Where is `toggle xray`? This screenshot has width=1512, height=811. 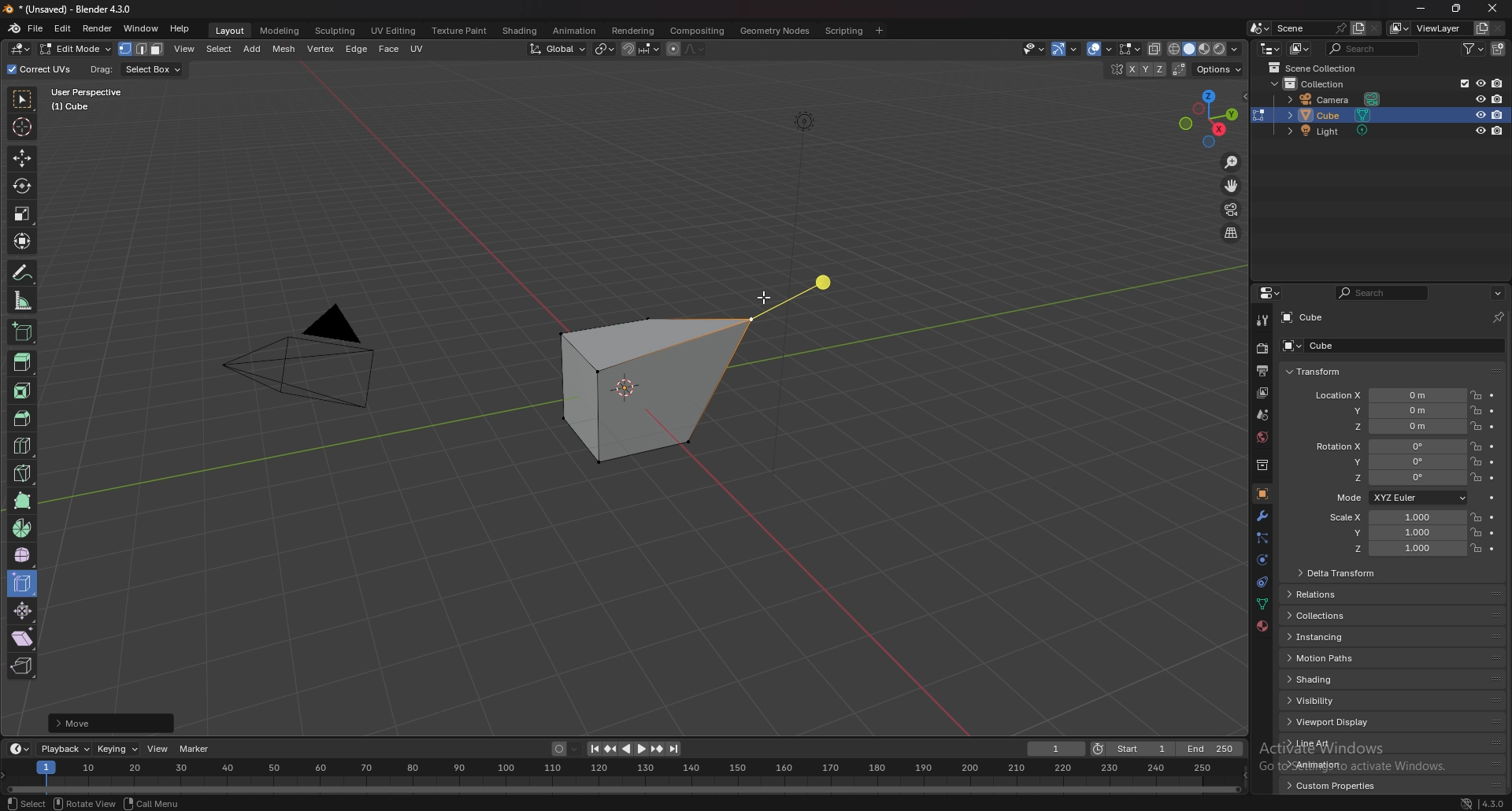 toggle xray is located at coordinates (1155, 49).